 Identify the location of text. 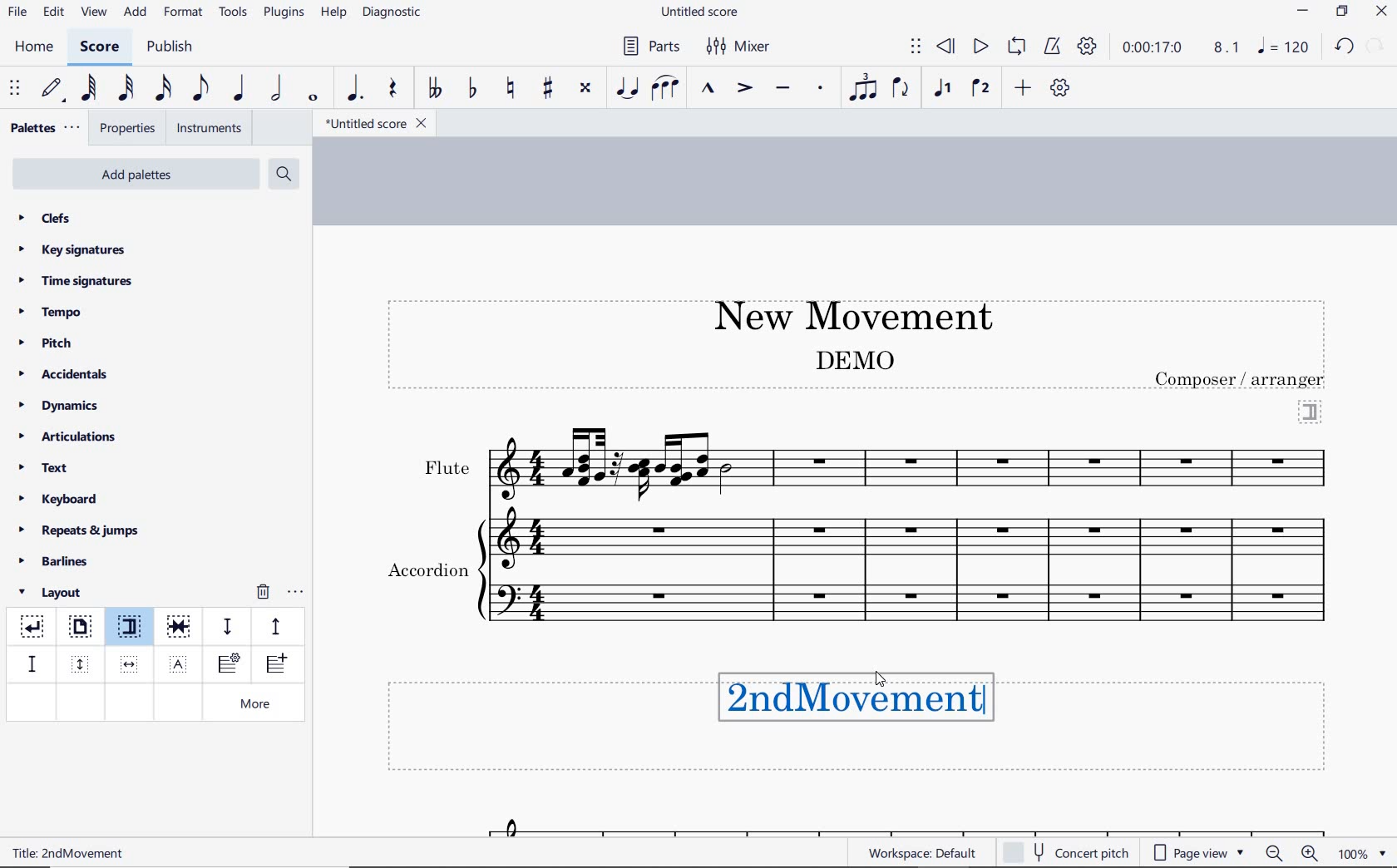
(53, 852).